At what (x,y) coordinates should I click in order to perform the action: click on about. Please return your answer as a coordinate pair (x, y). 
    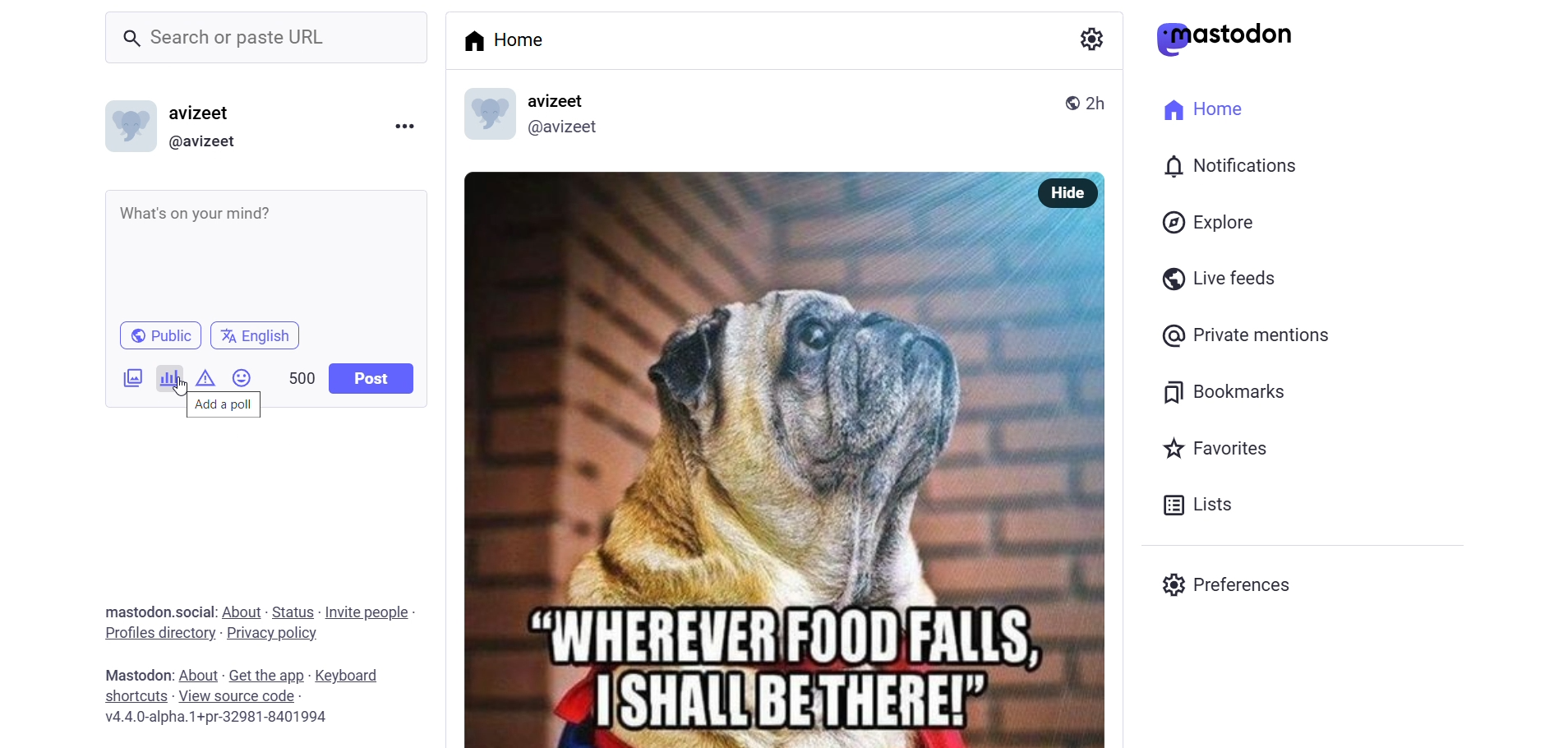
    Looking at the image, I should click on (240, 612).